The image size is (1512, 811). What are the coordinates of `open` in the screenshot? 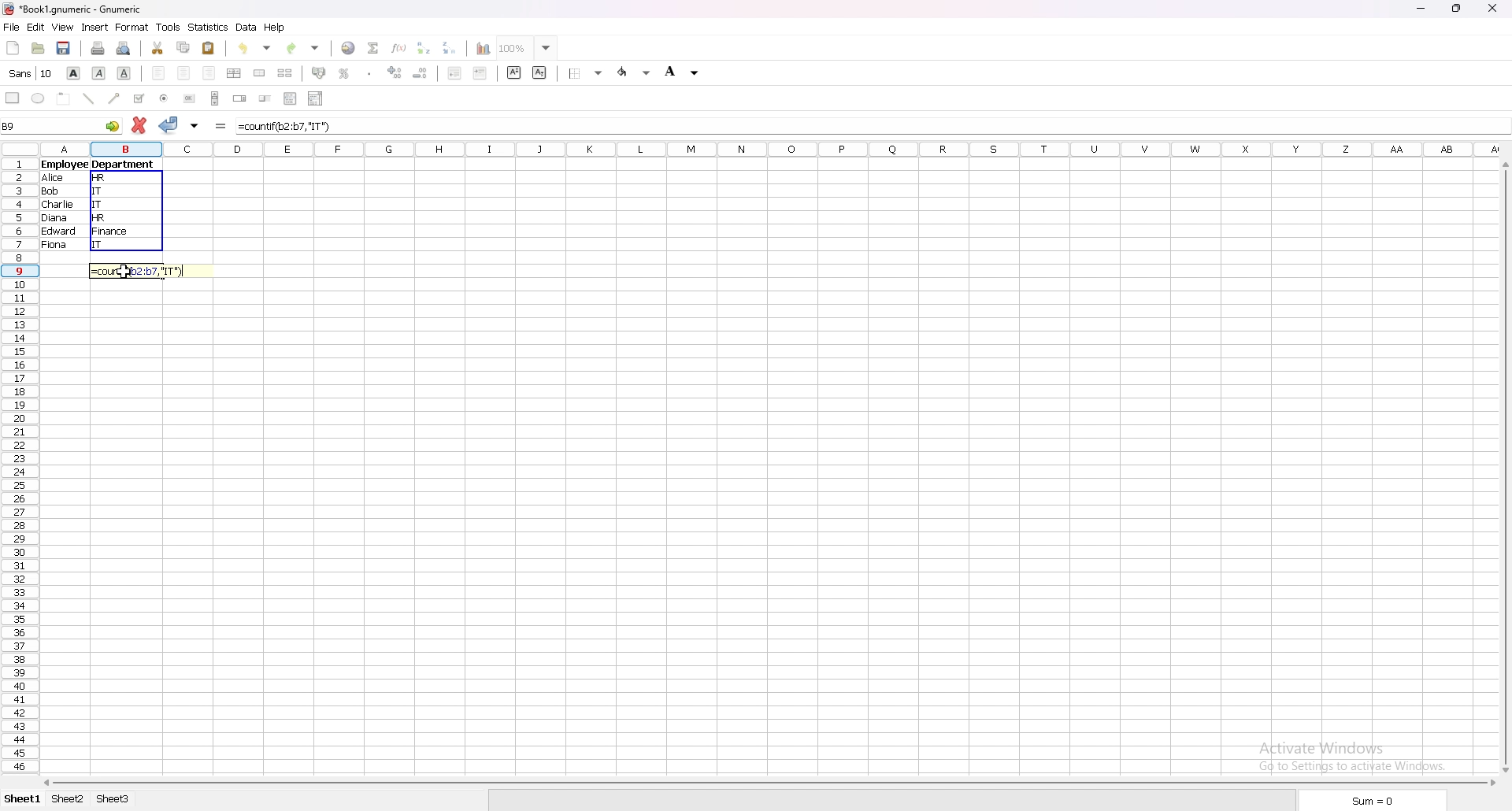 It's located at (37, 48).